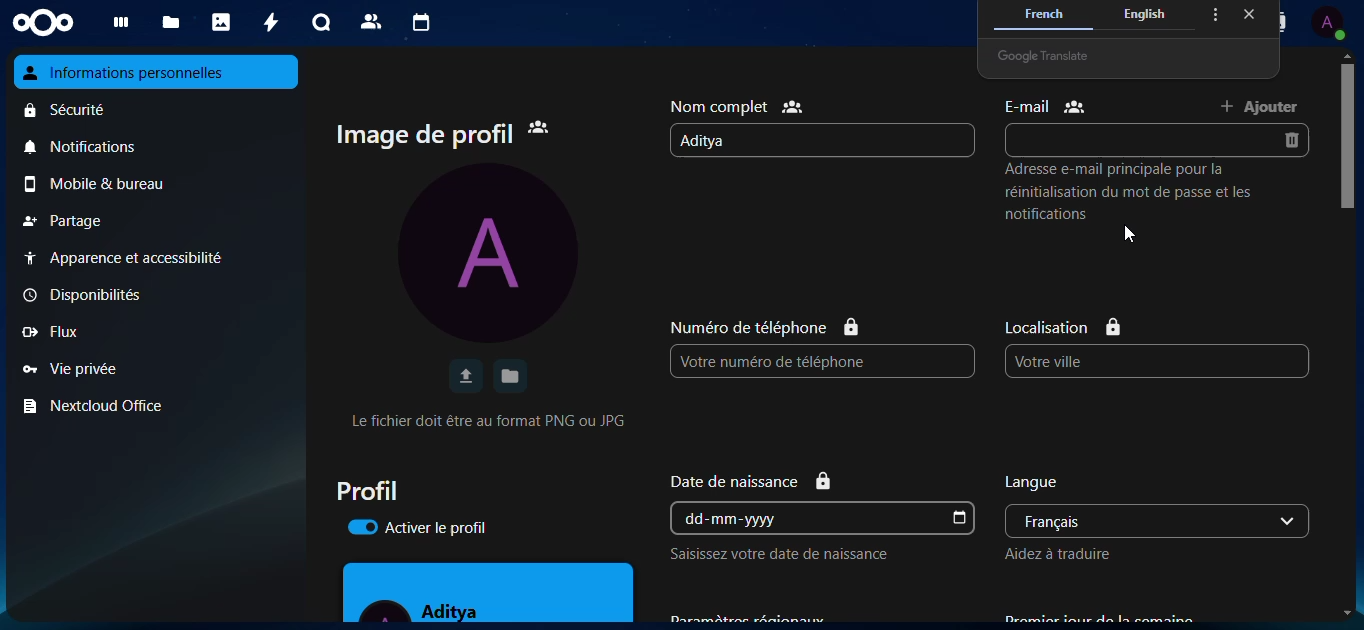  Describe the element at coordinates (1275, 24) in the screenshot. I see `contact` at that location.